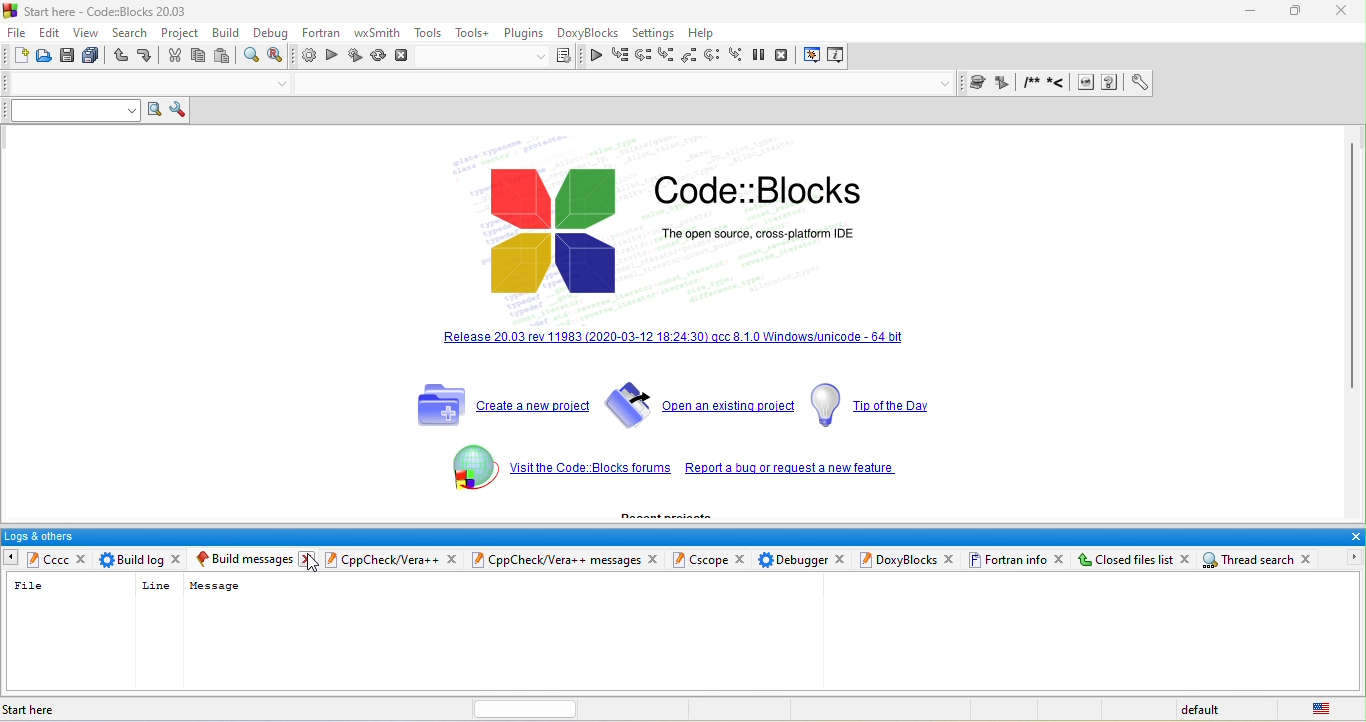  I want to click on copy, so click(198, 57).